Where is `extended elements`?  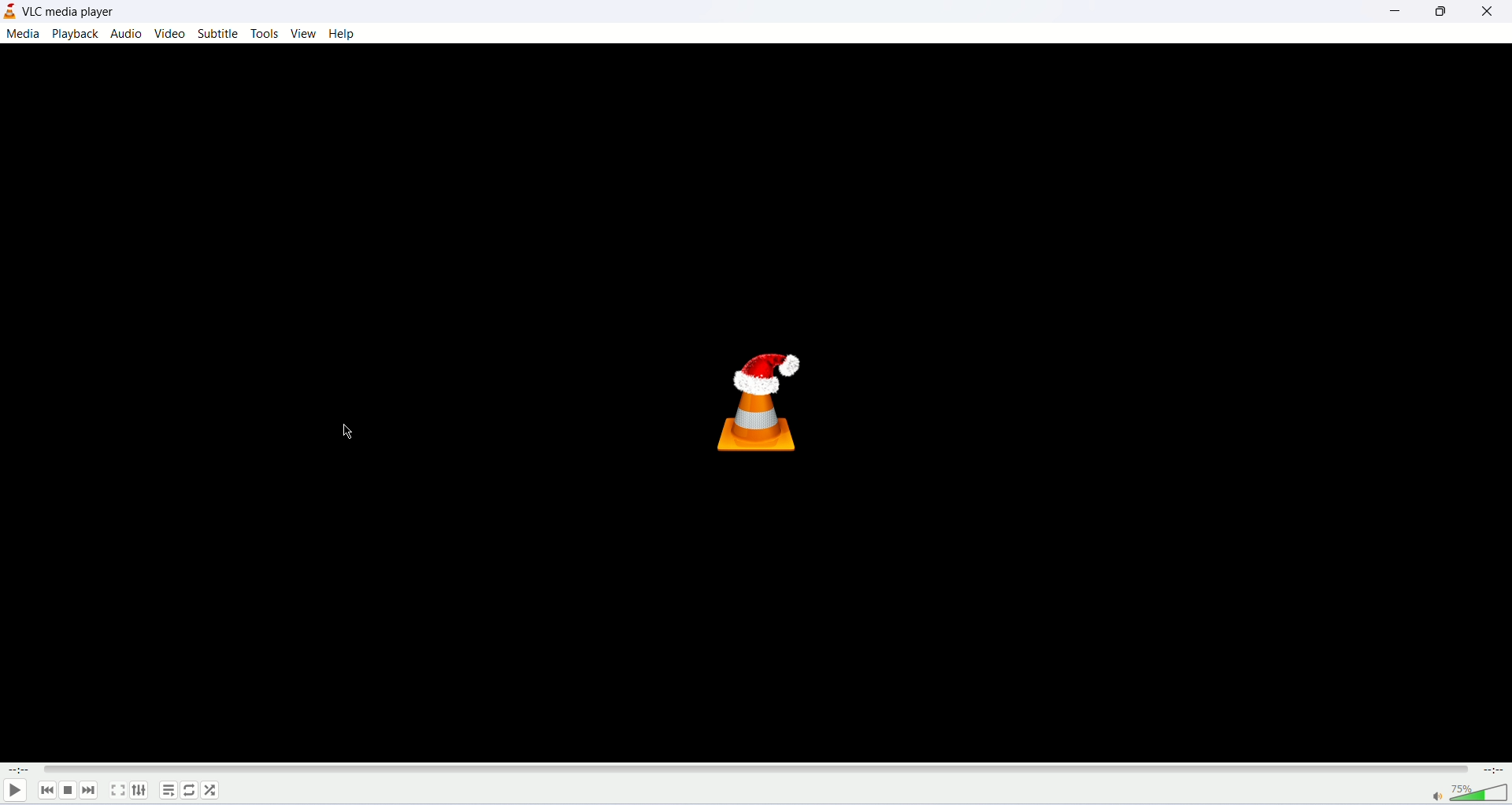
extended elements is located at coordinates (140, 792).